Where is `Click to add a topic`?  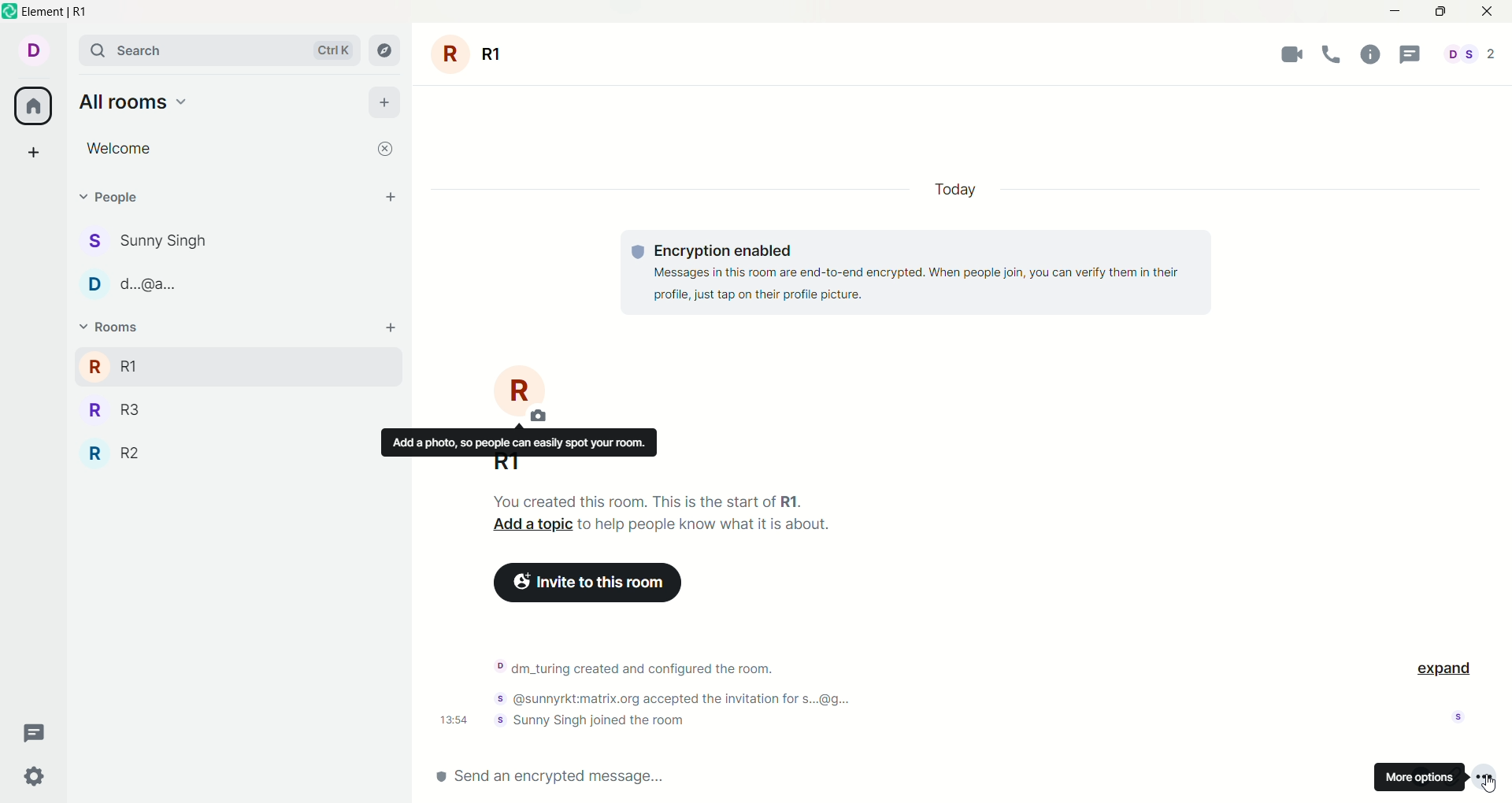
Click to add a topic is located at coordinates (532, 524).